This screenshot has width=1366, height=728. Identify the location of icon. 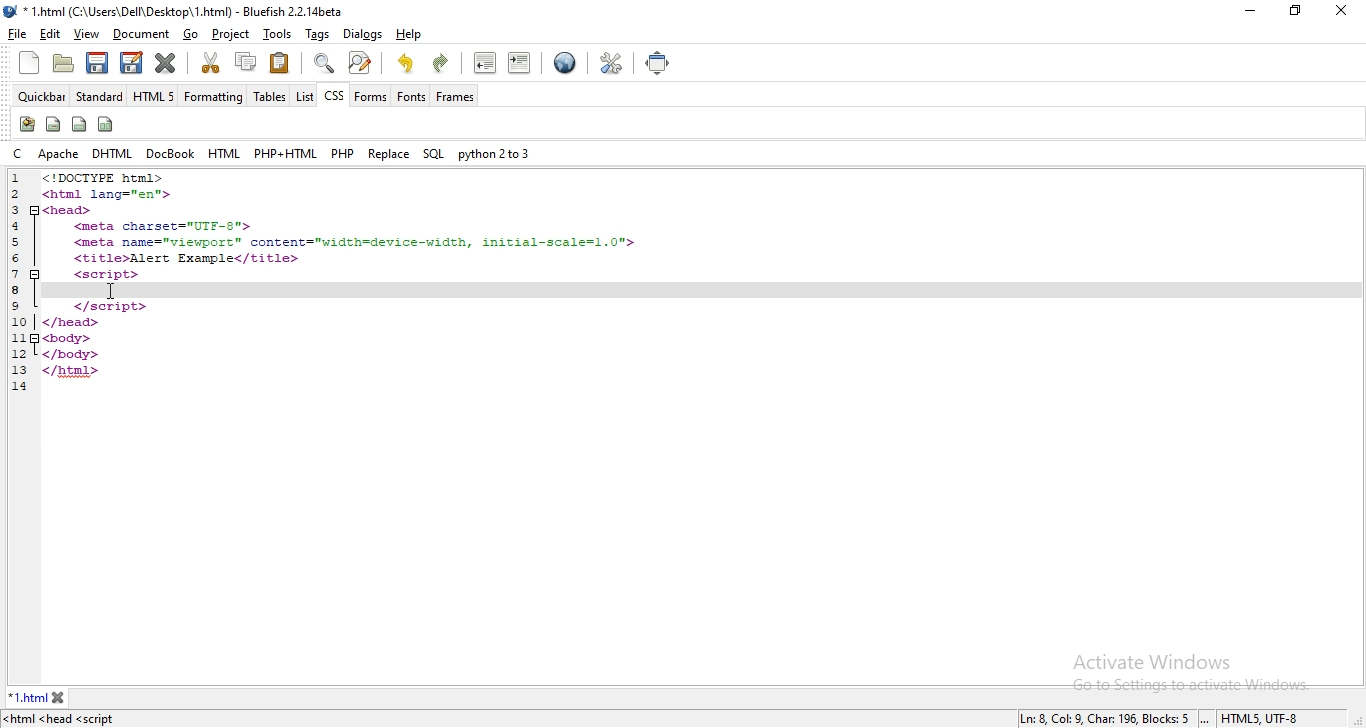
(26, 125).